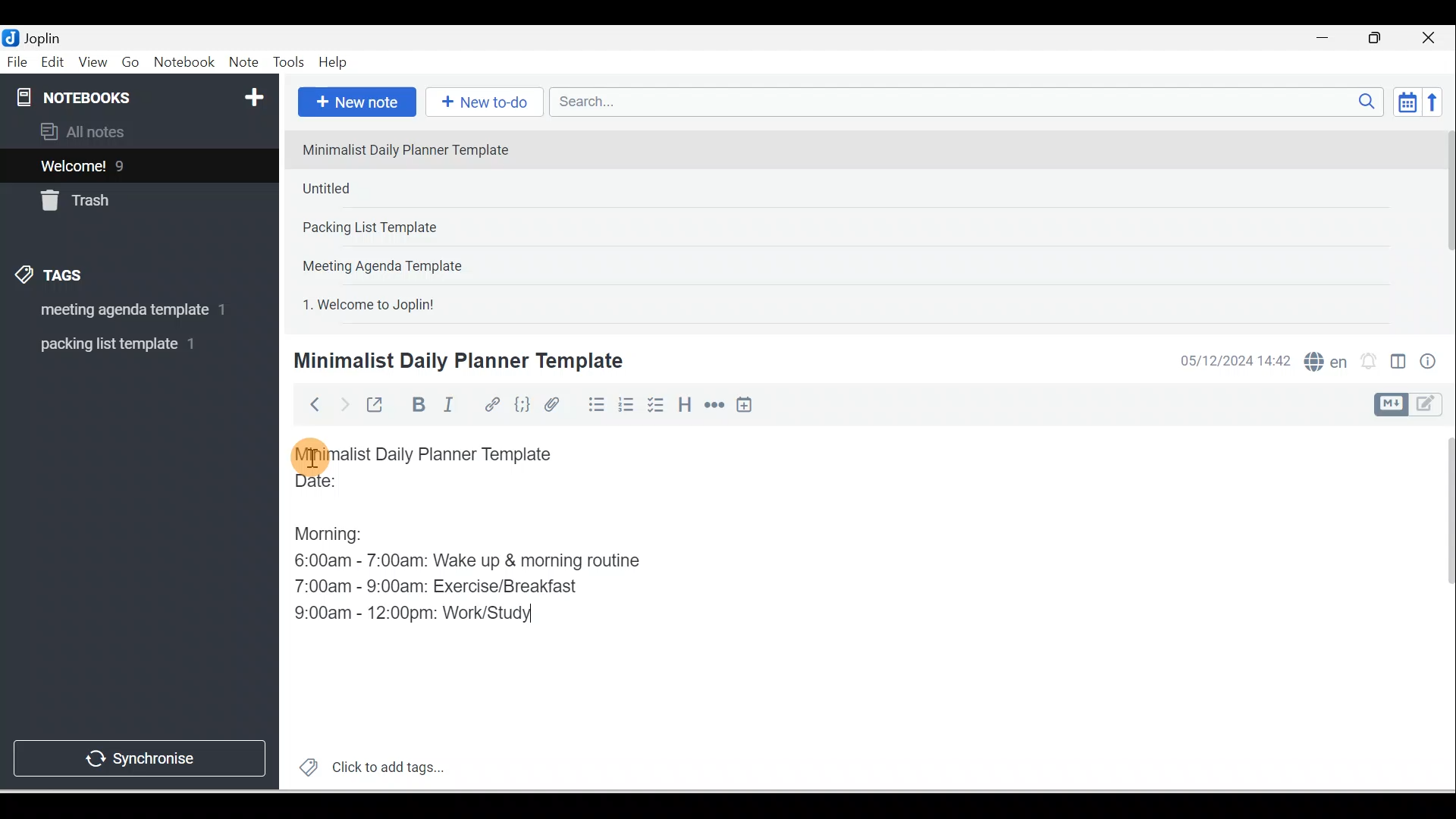 This screenshot has width=1456, height=819. I want to click on Bulleted list, so click(593, 404).